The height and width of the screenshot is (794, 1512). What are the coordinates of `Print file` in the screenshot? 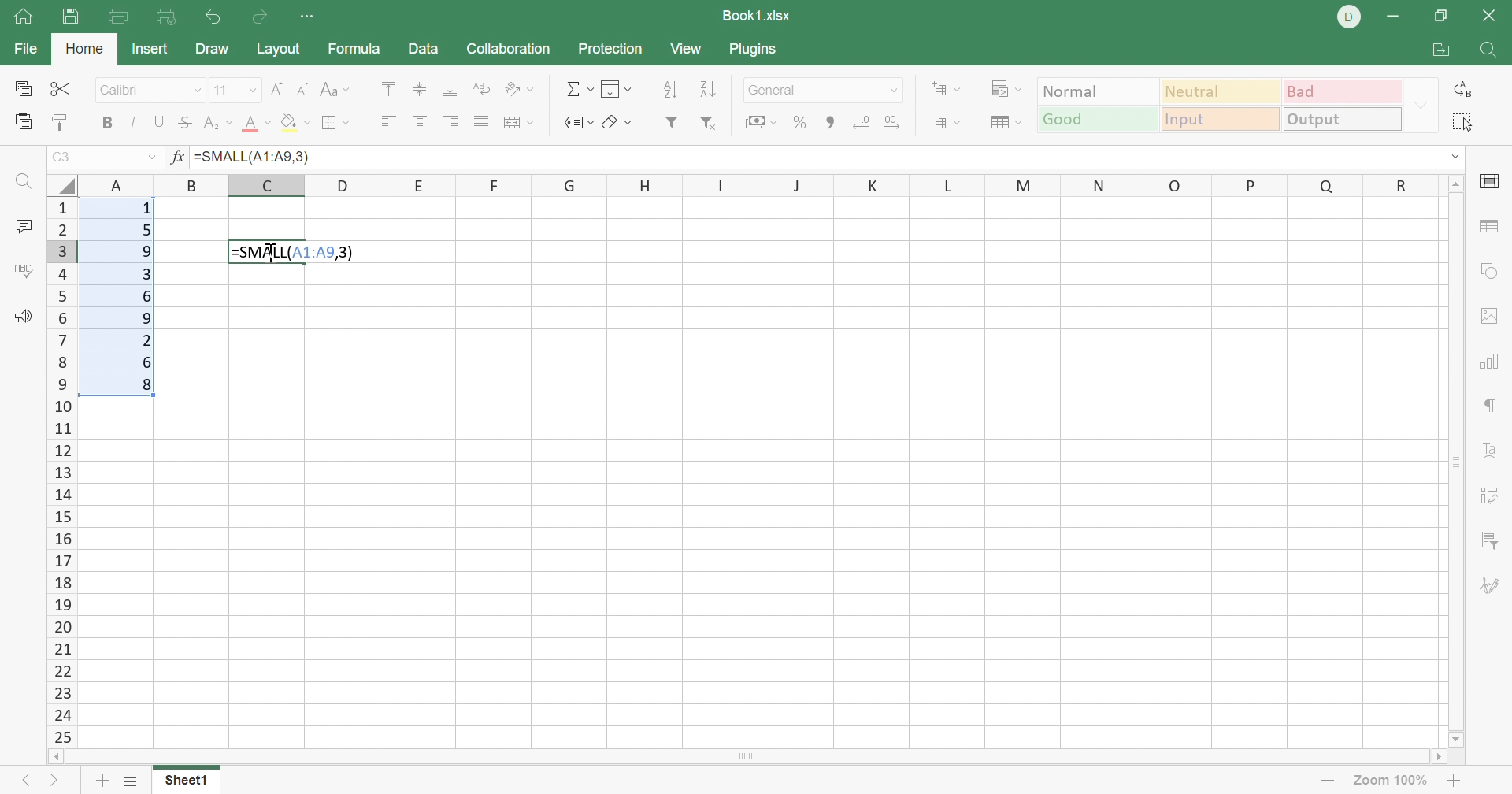 It's located at (117, 16).